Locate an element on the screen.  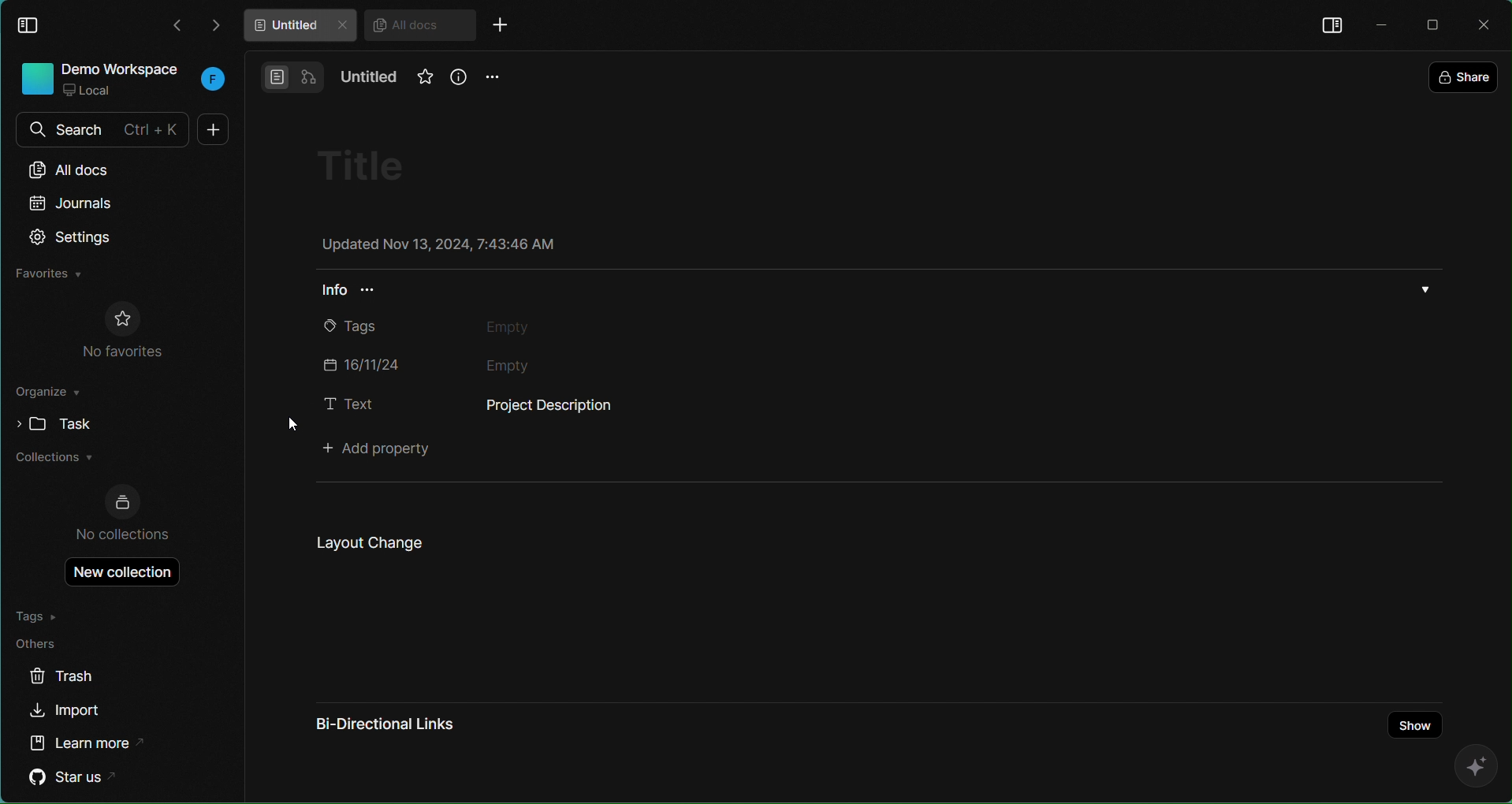
cursor is located at coordinates (286, 426).